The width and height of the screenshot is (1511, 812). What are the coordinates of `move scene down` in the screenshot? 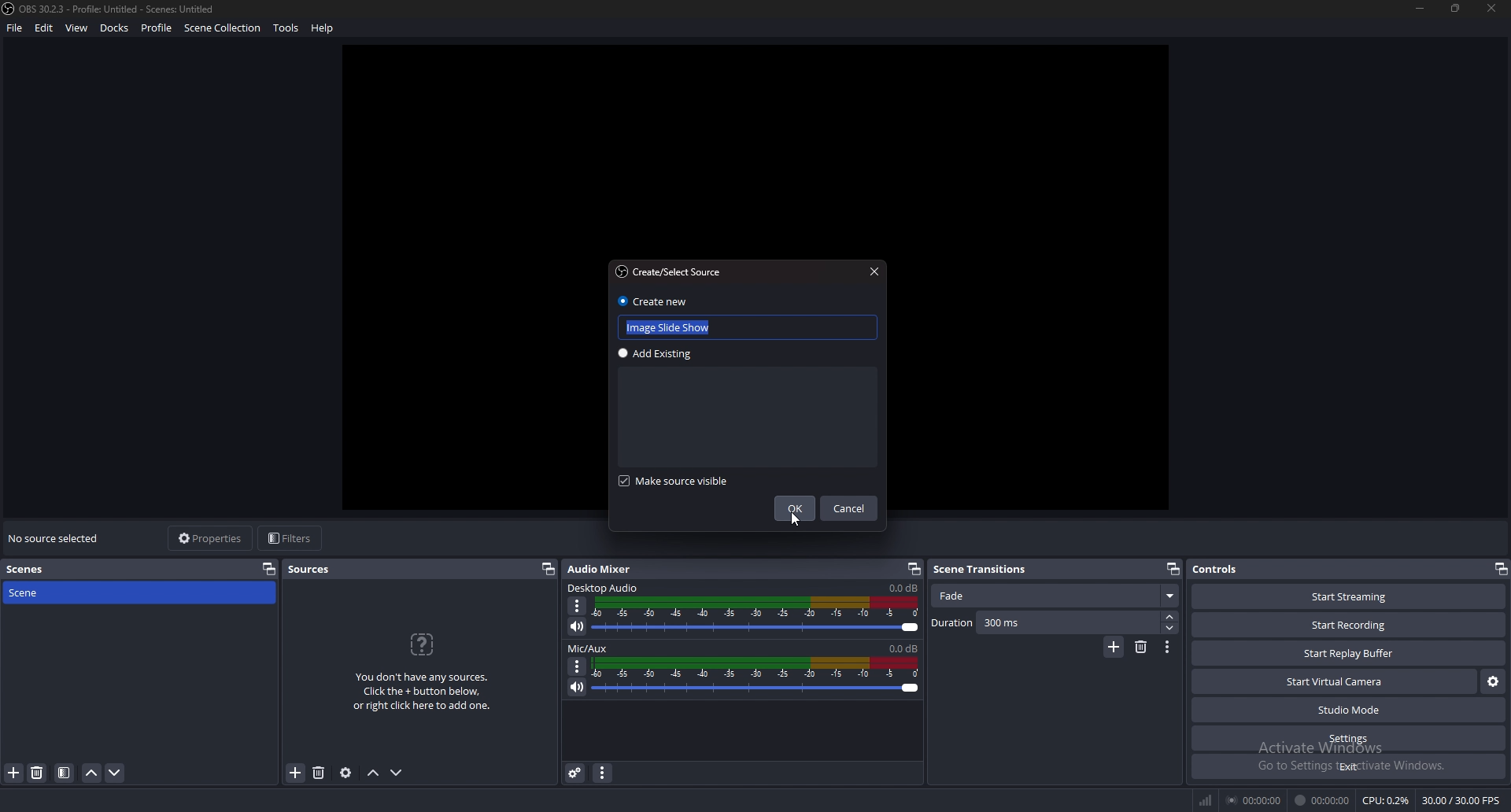 It's located at (115, 773).